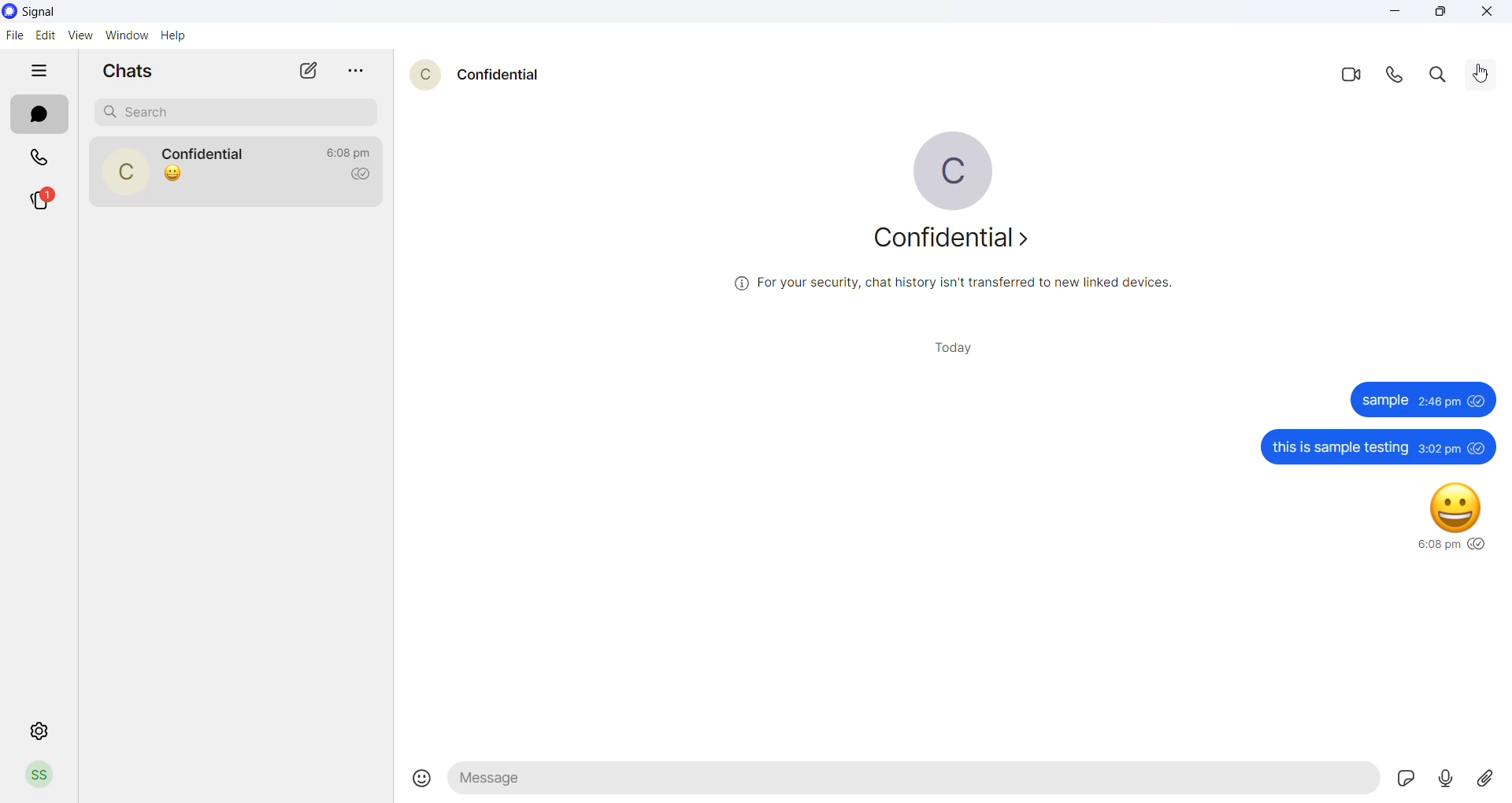  What do you see at coordinates (205, 151) in the screenshot?
I see `contact name` at bounding box center [205, 151].